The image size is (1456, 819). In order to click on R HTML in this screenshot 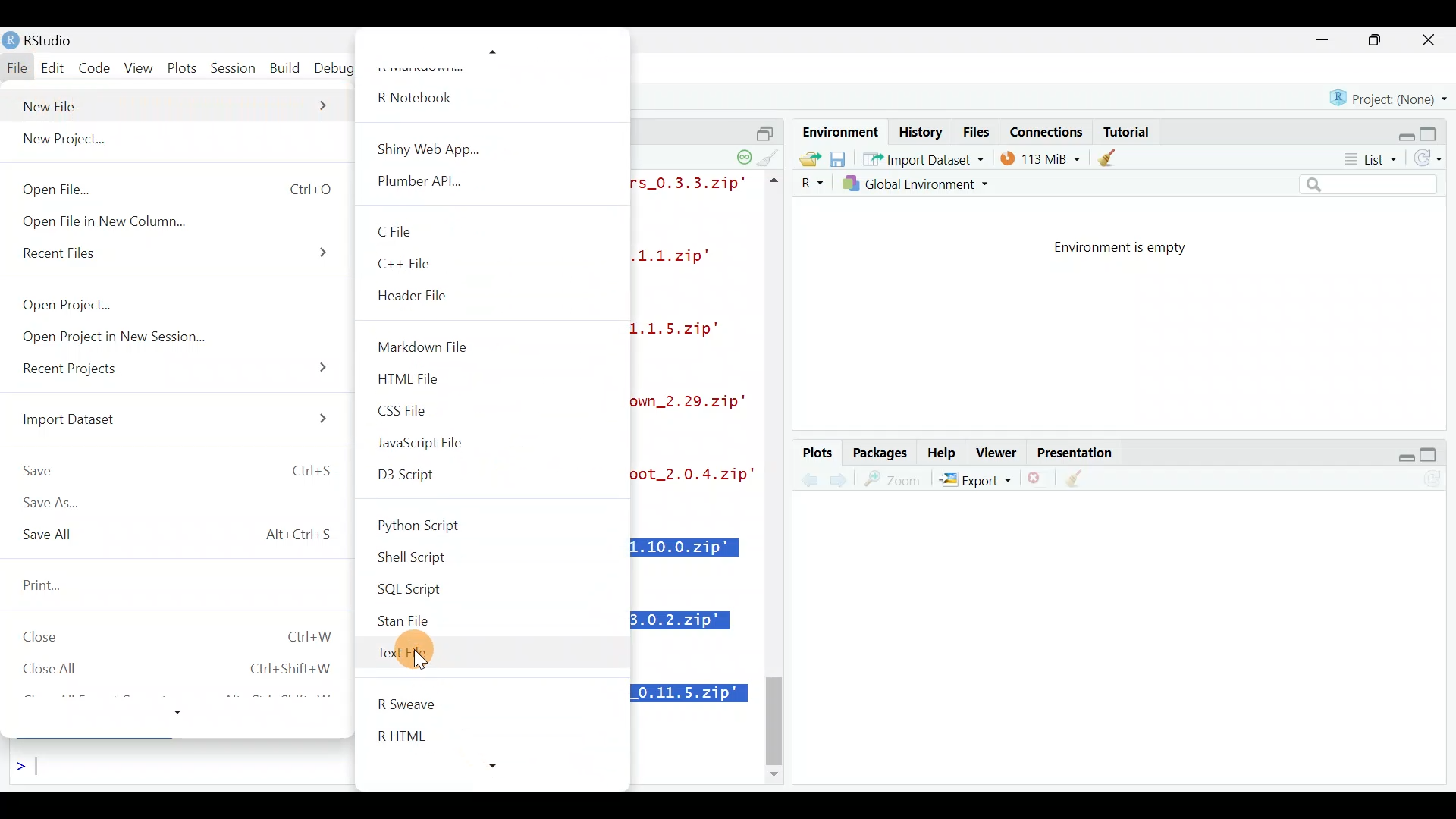, I will do `click(401, 739)`.